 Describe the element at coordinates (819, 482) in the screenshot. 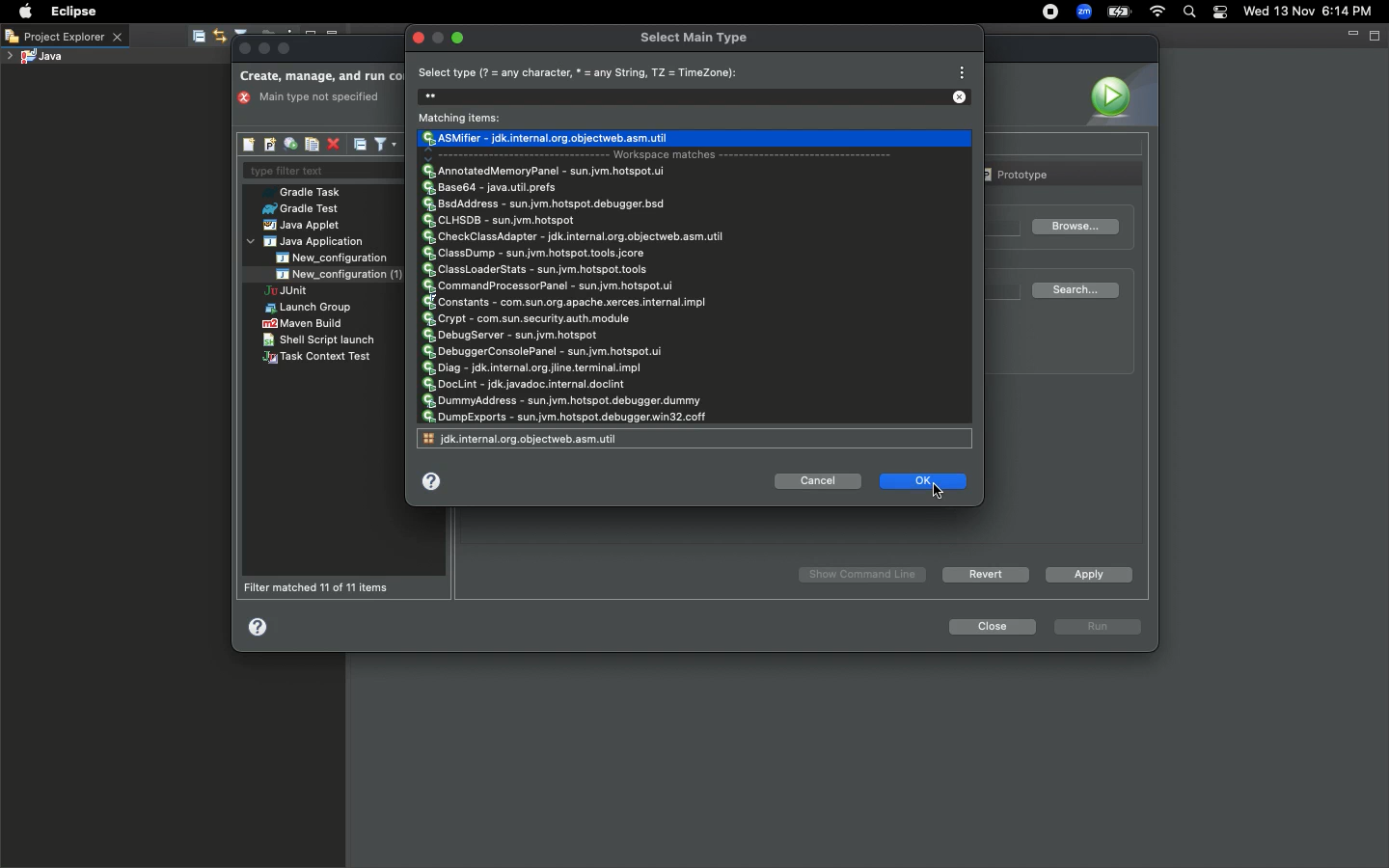

I see `Cancel` at that location.